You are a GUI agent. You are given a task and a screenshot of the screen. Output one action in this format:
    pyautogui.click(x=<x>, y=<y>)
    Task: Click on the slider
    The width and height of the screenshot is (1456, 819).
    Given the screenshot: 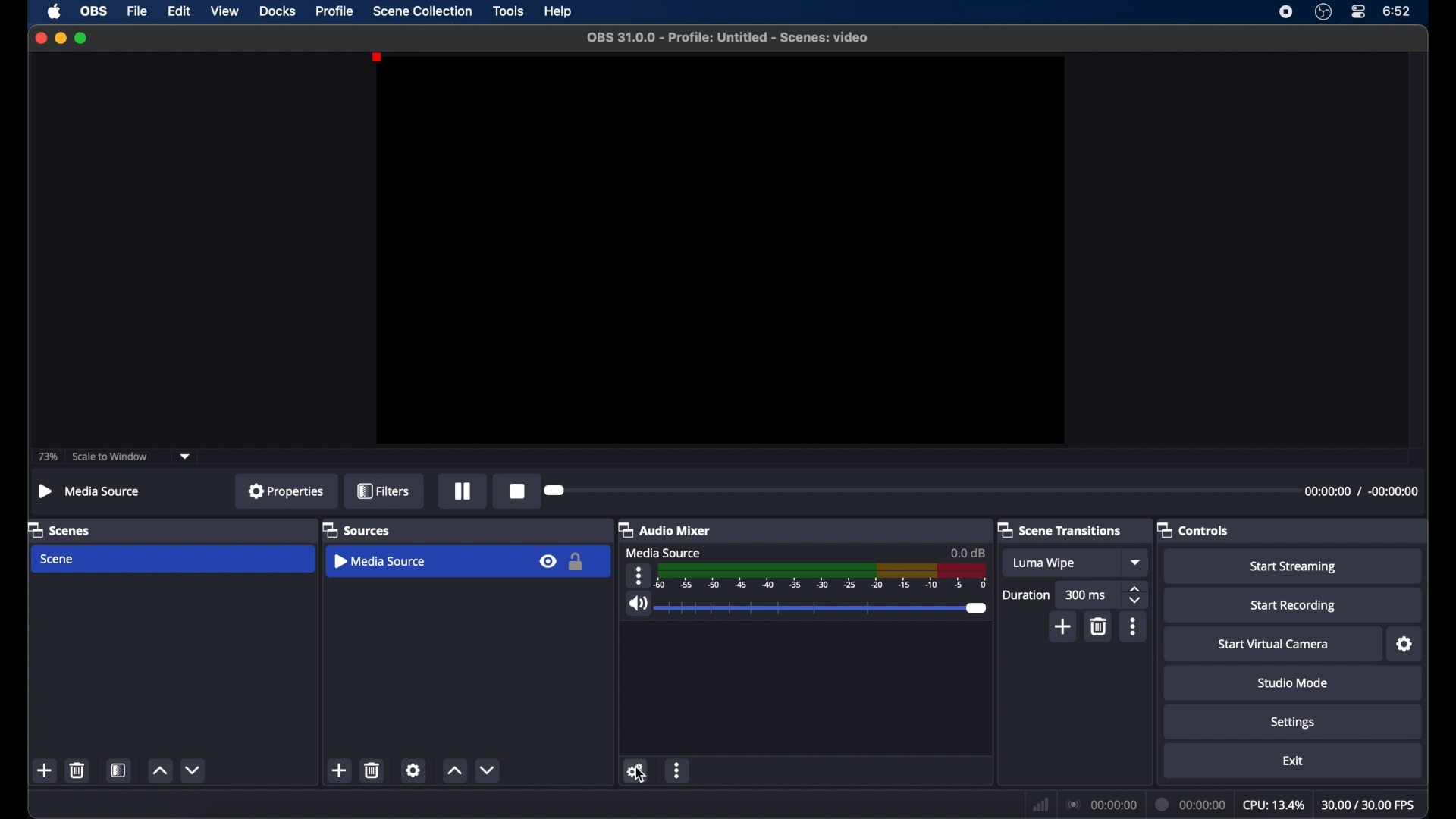 What is the action you would take?
    pyautogui.click(x=823, y=608)
    